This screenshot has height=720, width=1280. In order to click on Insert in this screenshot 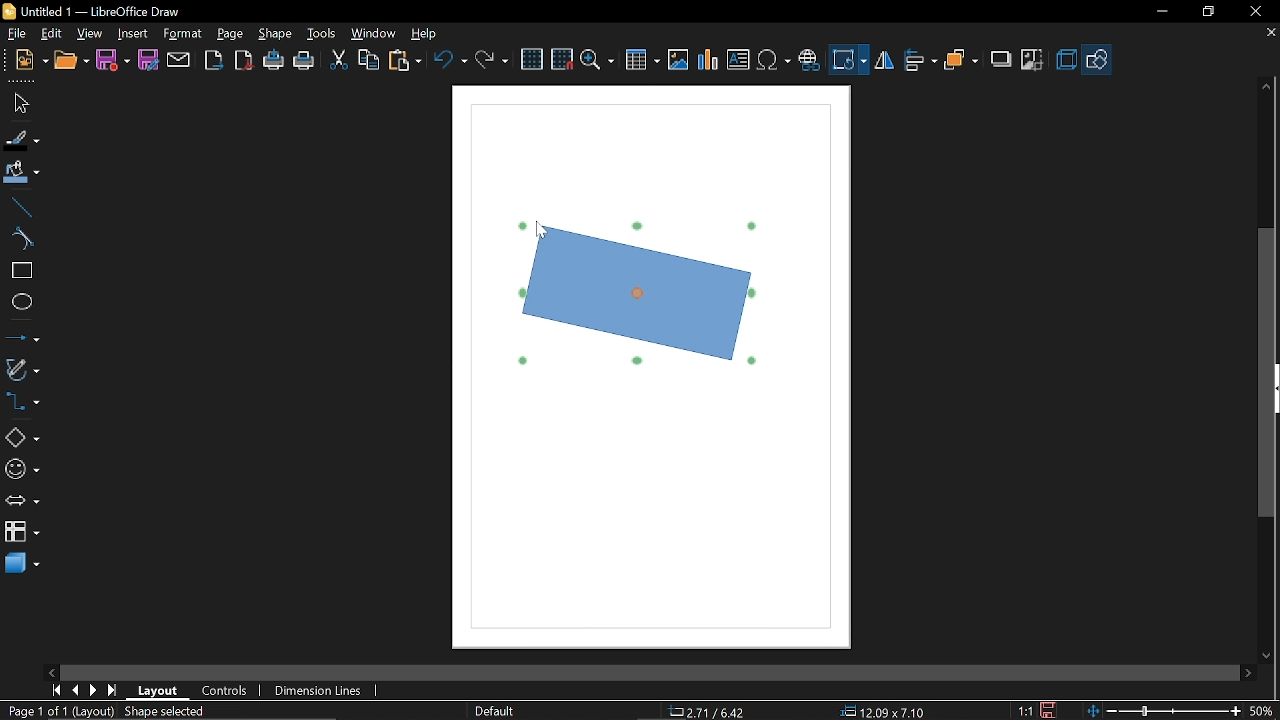, I will do `click(134, 33)`.